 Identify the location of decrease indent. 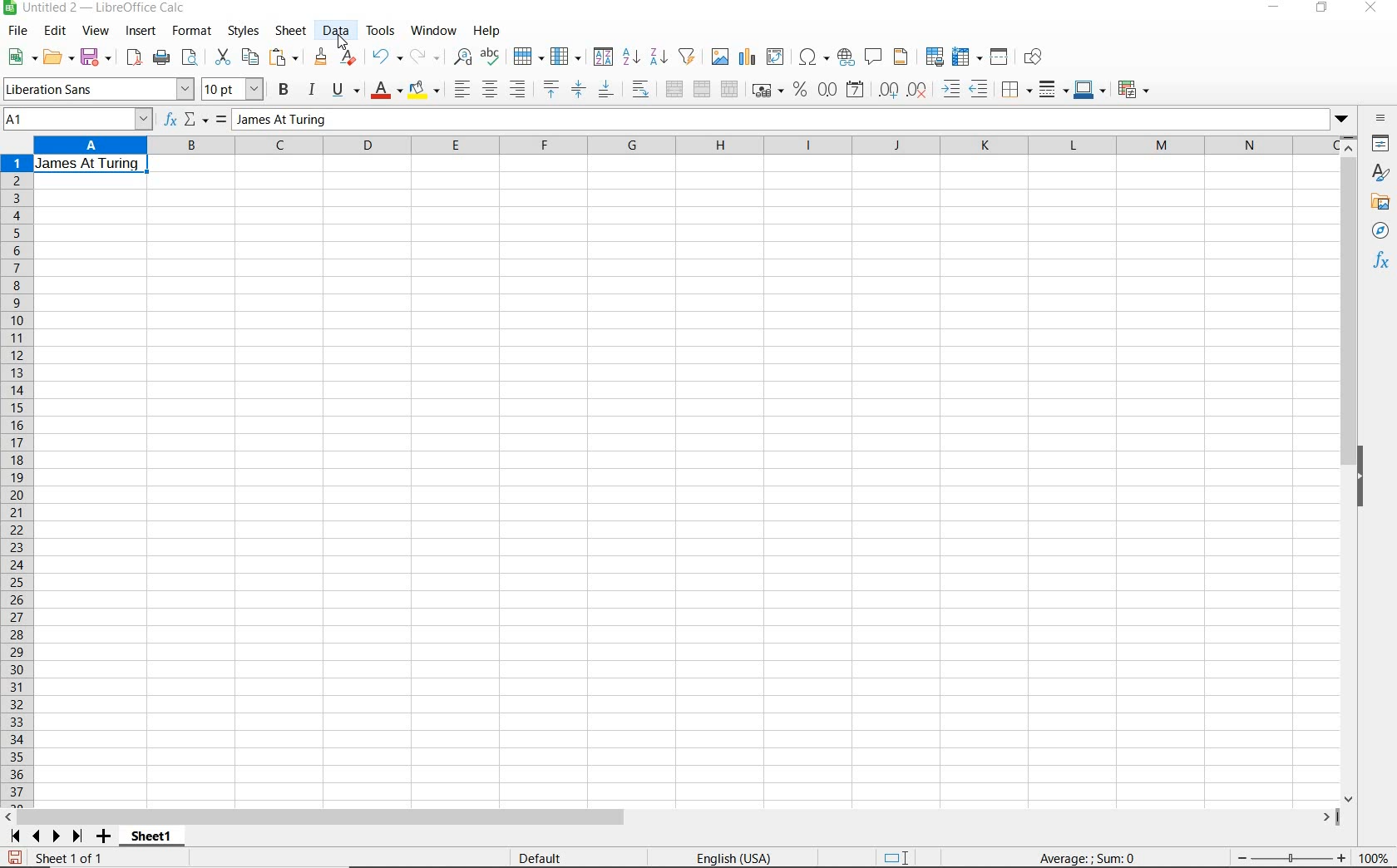
(981, 89).